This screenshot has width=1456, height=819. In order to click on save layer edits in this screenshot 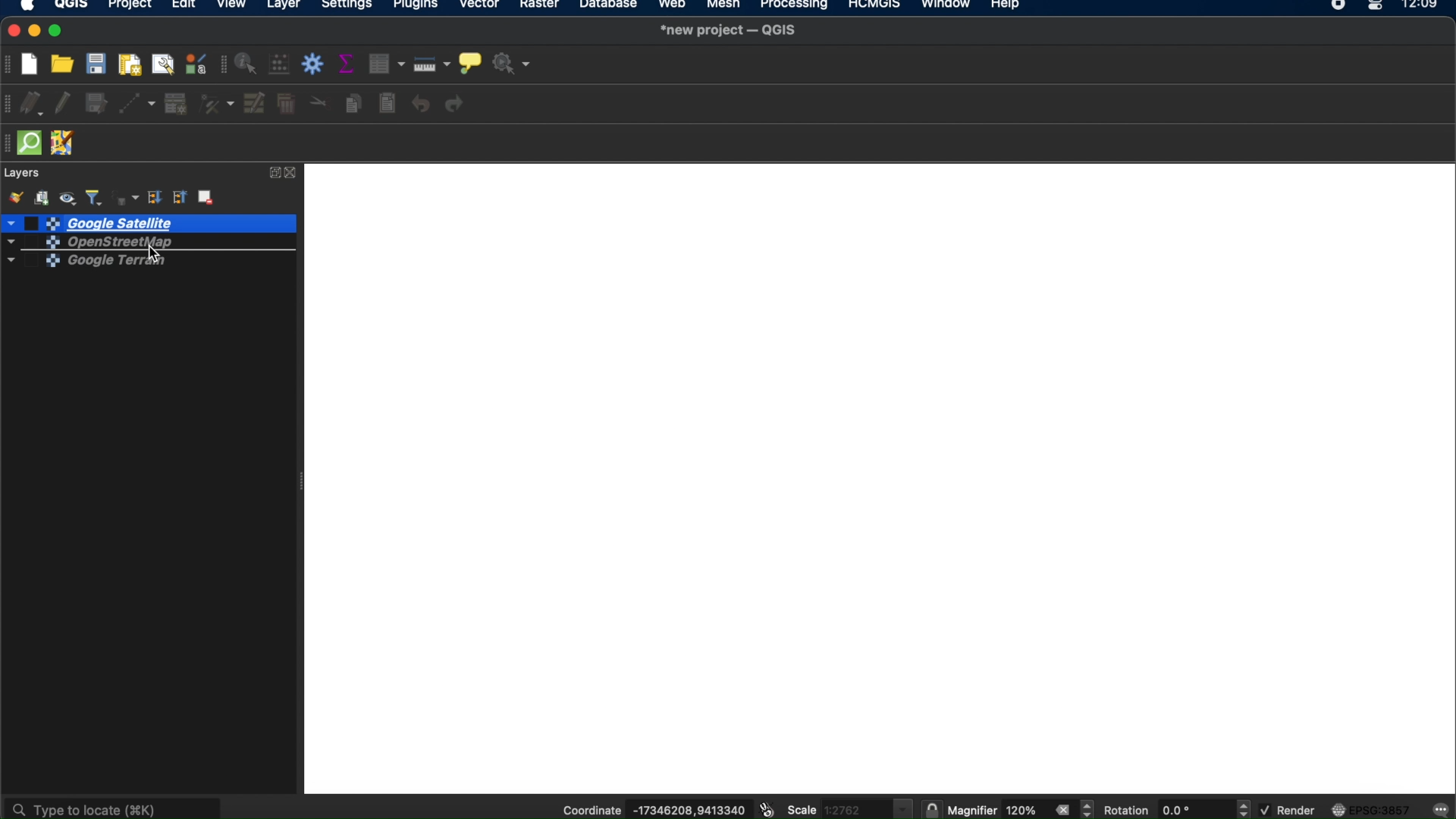, I will do `click(97, 105)`.